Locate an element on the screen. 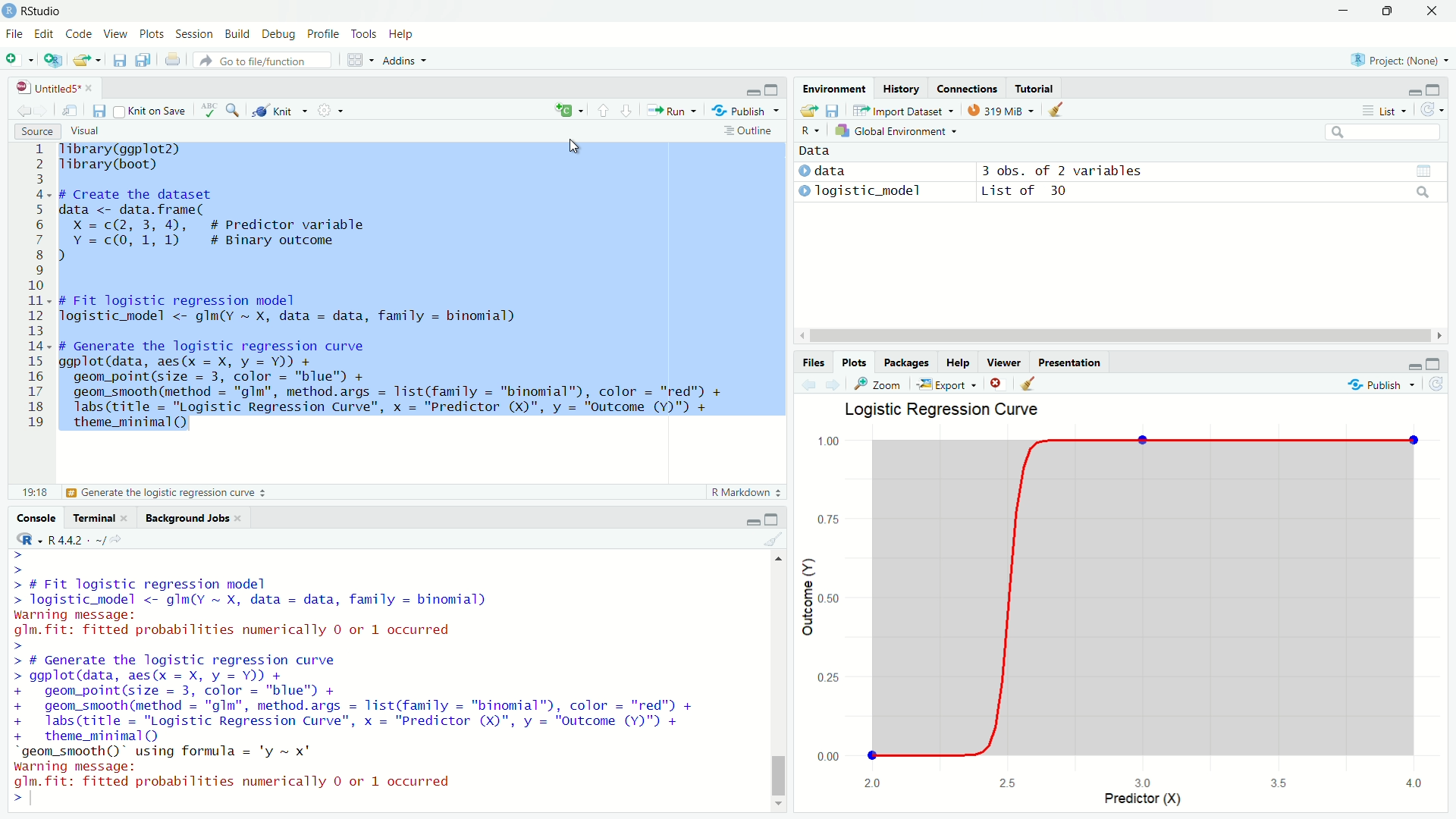 The image size is (1456, 819). Profile is located at coordinates (322, 33).